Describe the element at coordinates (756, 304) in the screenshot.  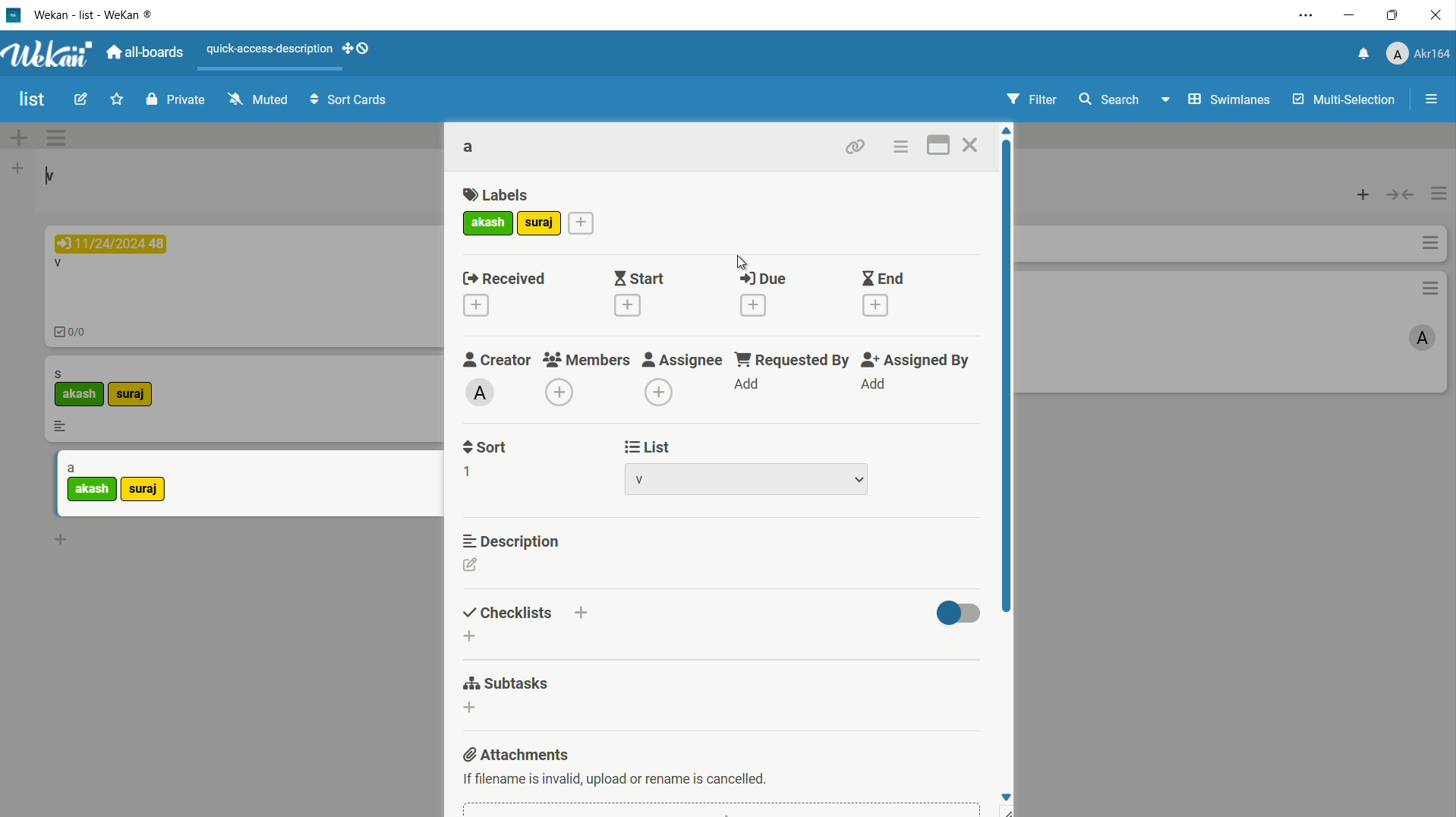
I see `add due date` at that location.